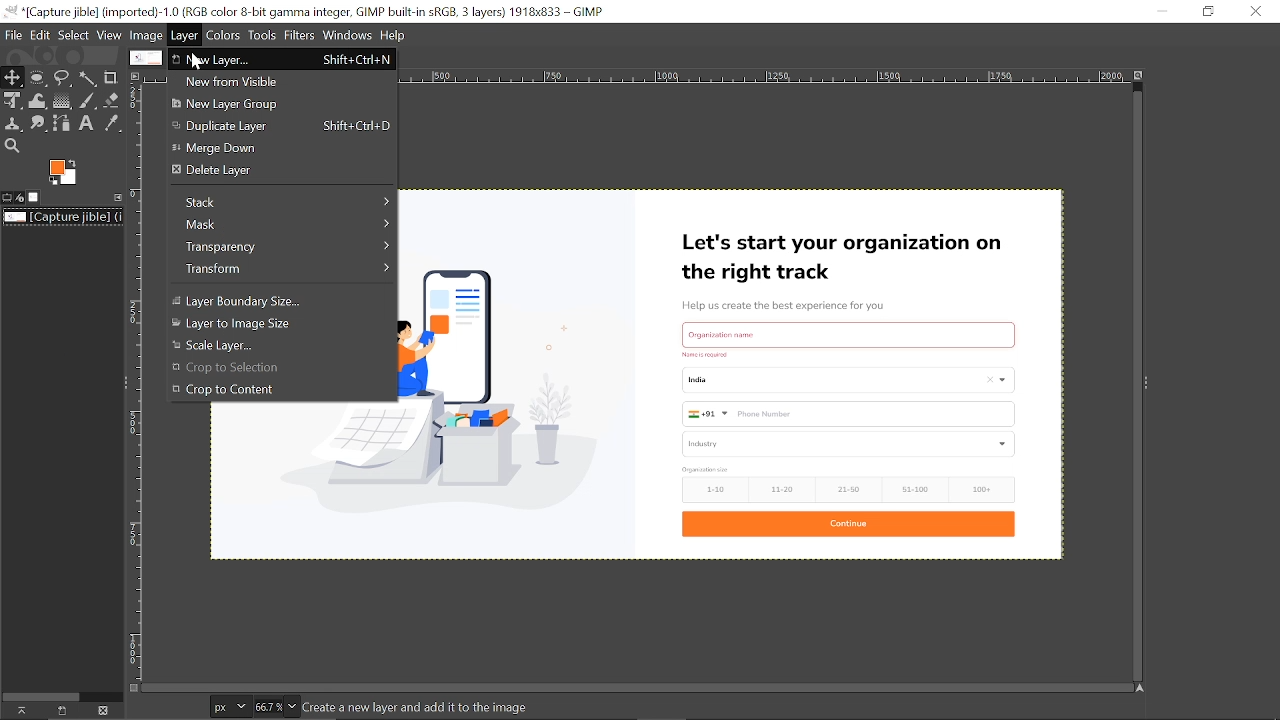 The height and width of the screenshot is (720, 1280). I want to click on Current image, so click(738, 371).